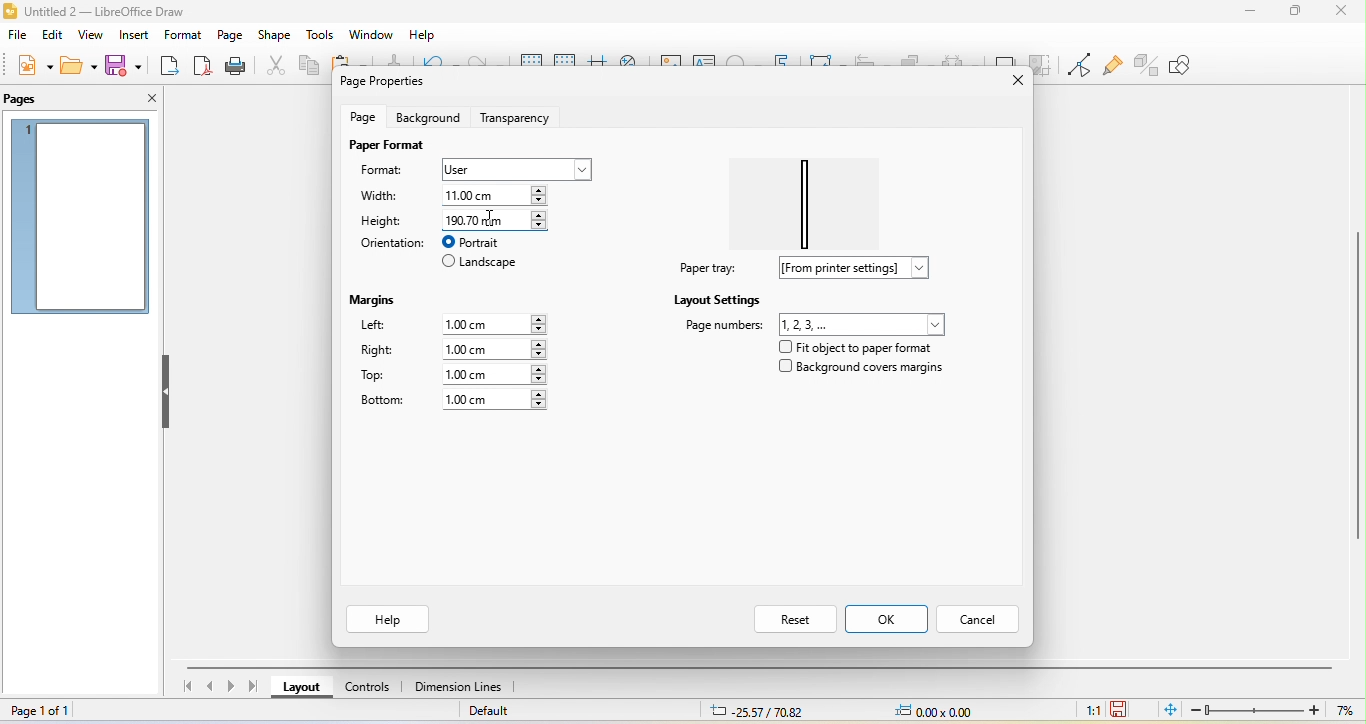 This screenshot has width=1366, height=724. What do you see at coordinates (1007, 81) in the screenshot?
I see `close` at bounding box center [1007, 81].